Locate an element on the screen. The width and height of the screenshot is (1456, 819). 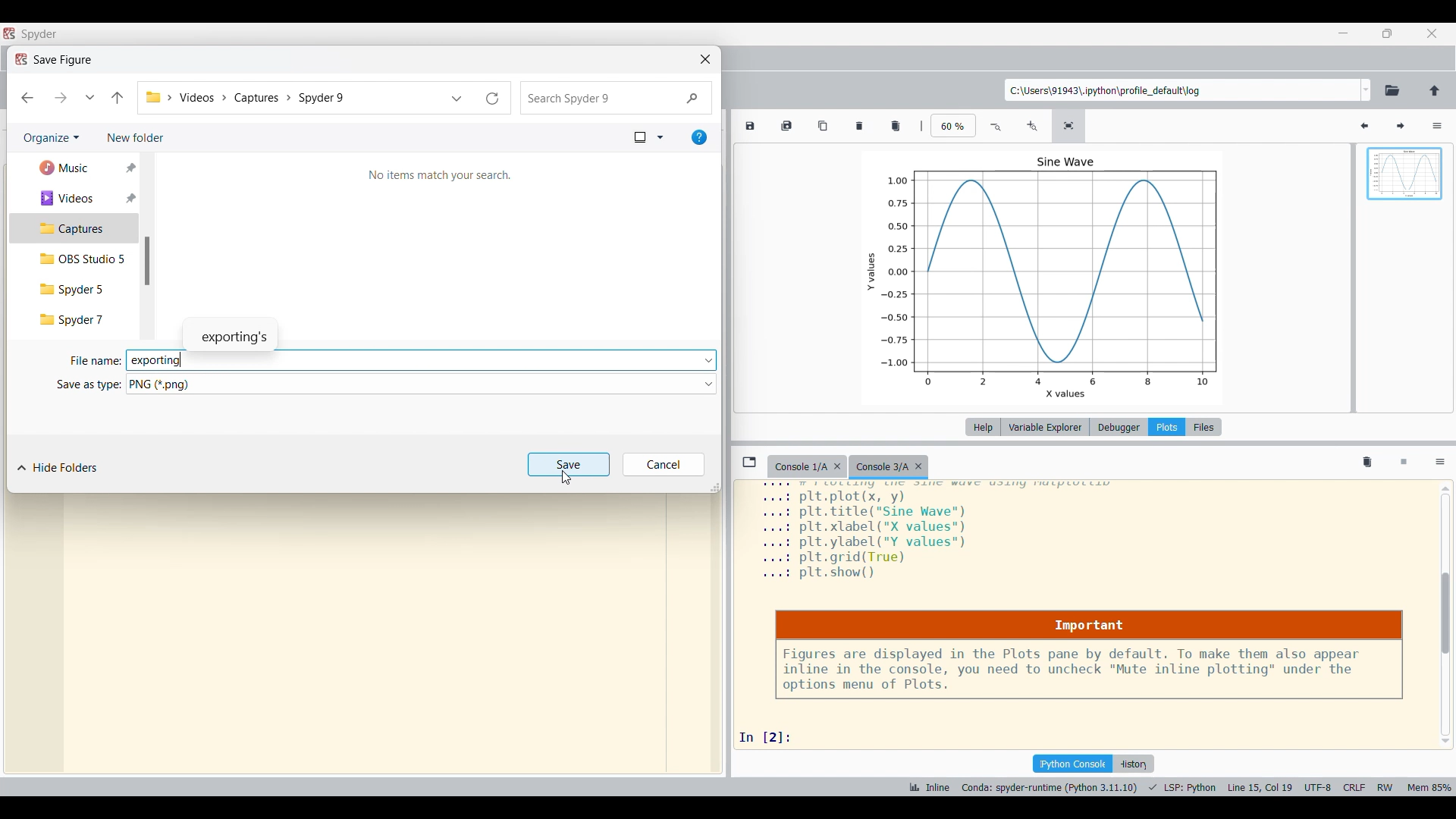
RW is located at coordinates (1385, 786).